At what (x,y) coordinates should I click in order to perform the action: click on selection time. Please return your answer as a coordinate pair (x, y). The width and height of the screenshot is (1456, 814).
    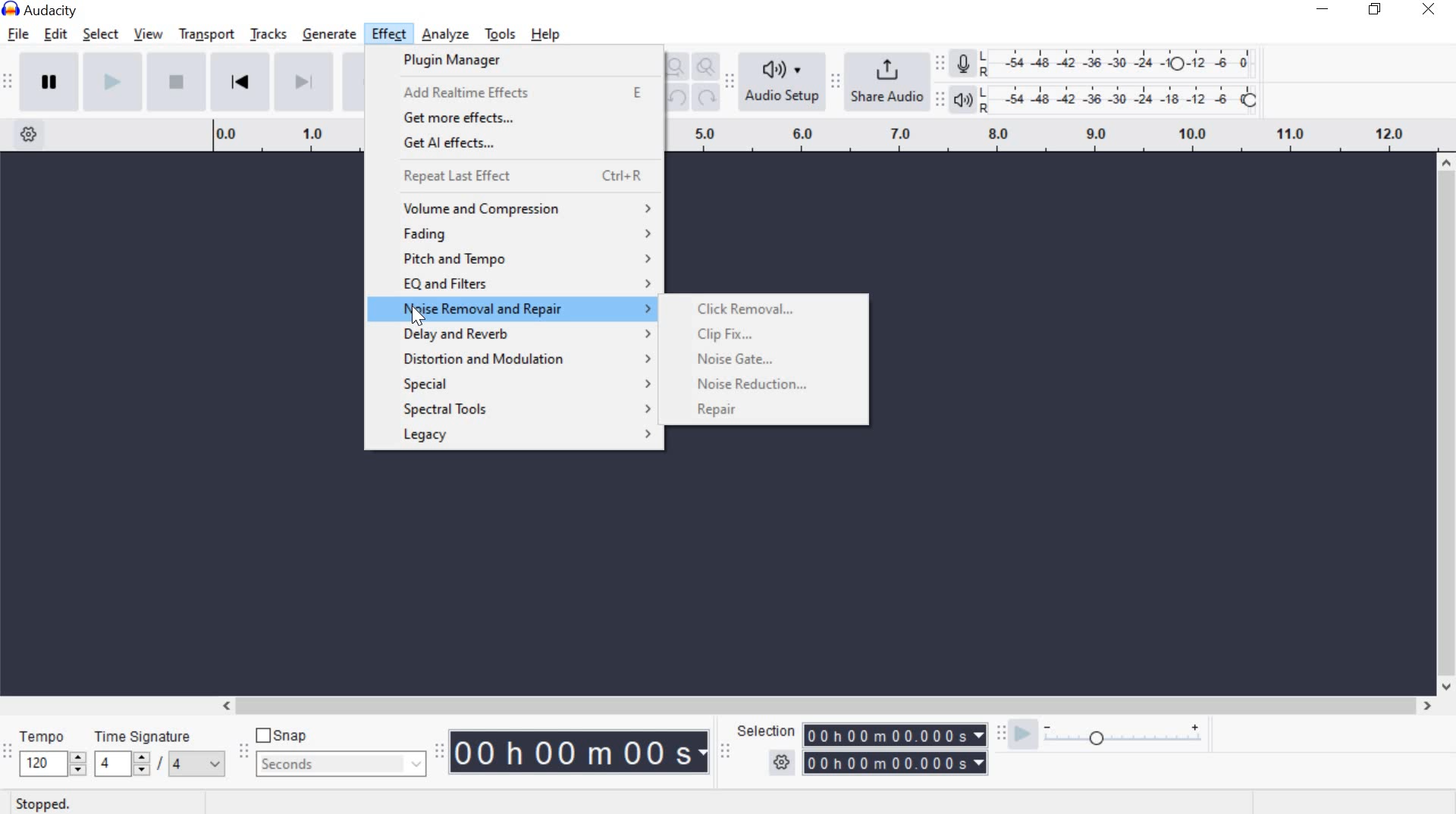
    Looking at the image, I should click on (897, 763).